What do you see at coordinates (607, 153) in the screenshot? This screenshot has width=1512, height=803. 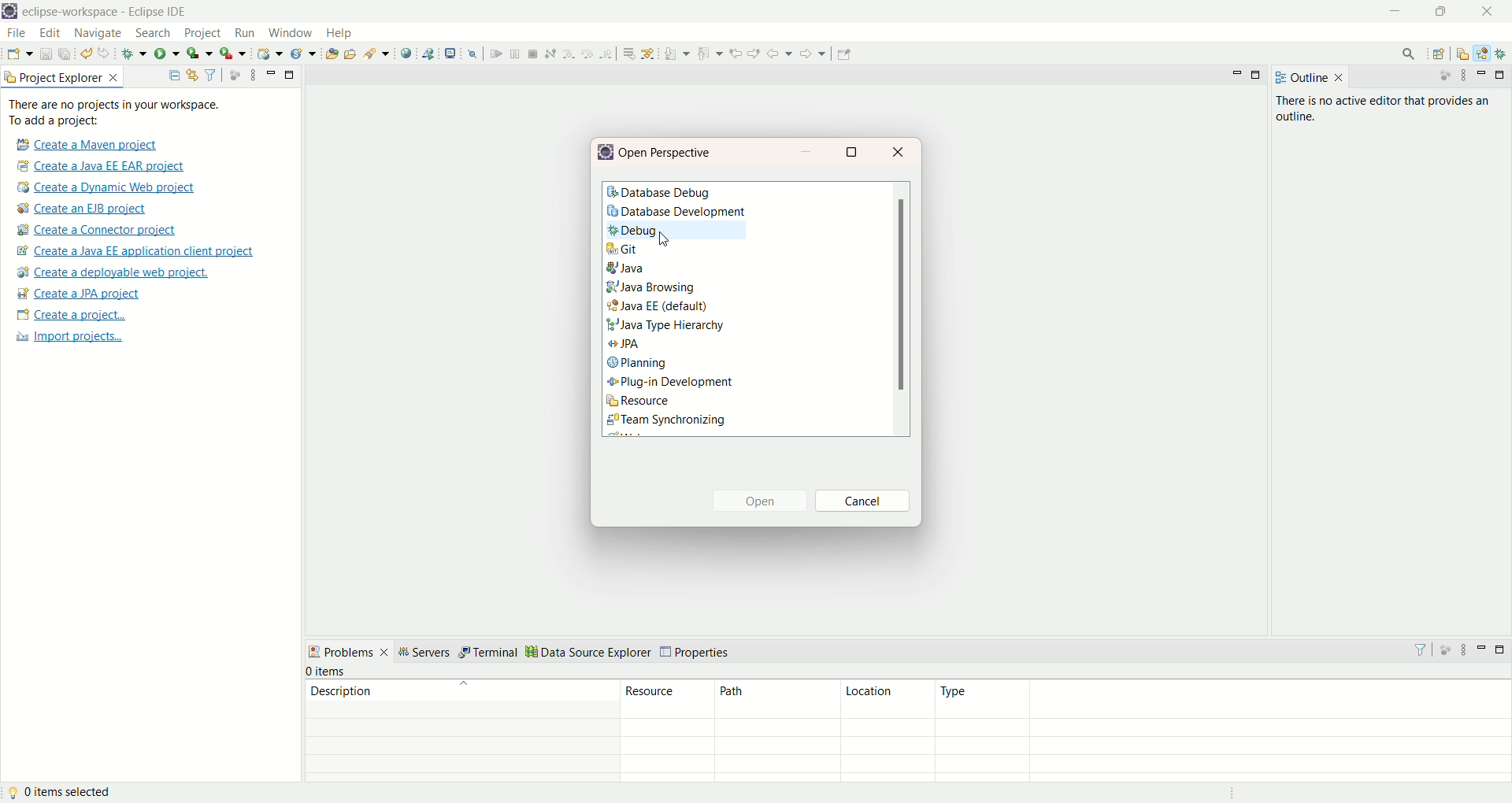 I see `logo` at bounding box center [607, 153].